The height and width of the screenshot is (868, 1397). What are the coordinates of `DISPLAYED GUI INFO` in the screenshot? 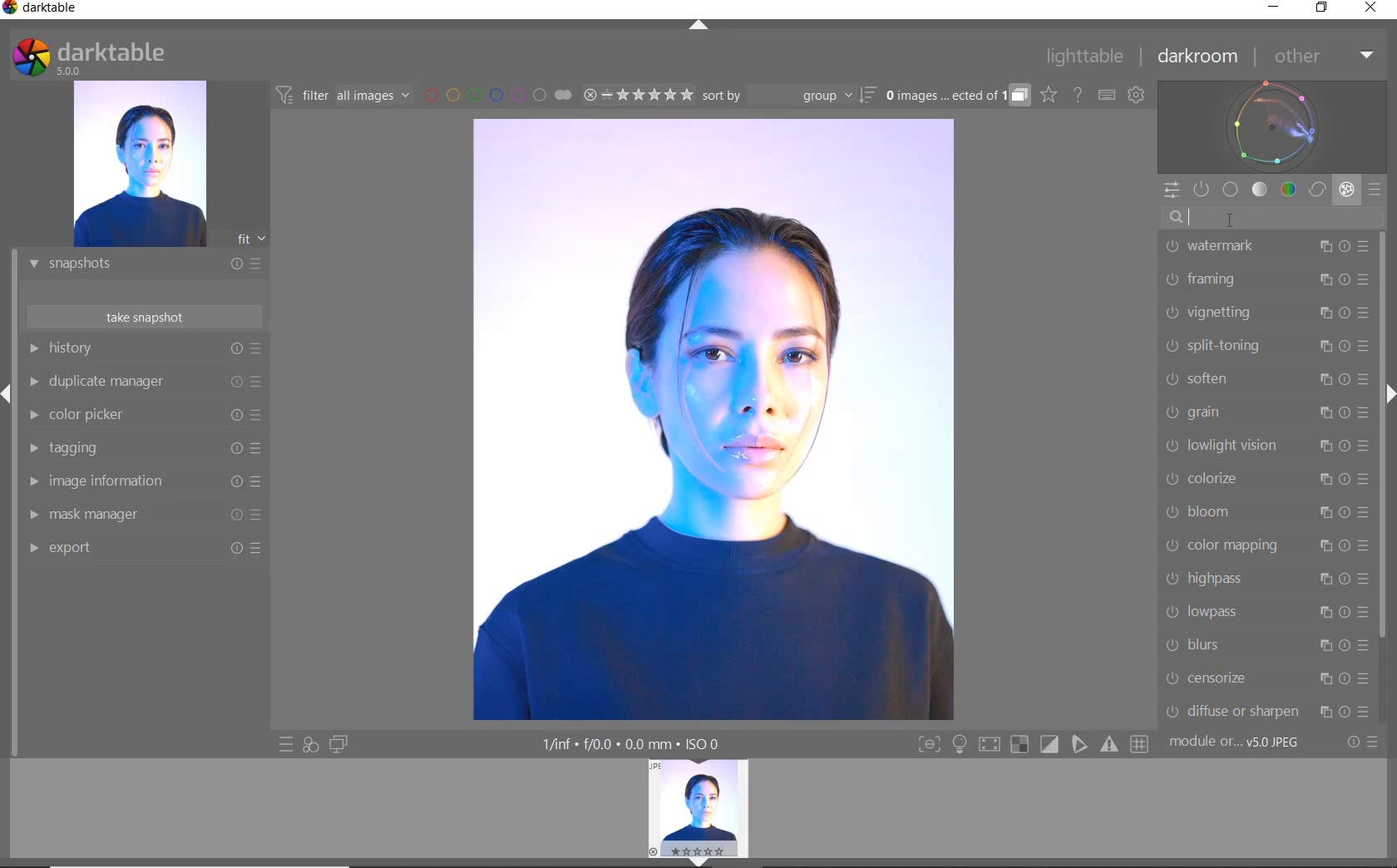 It's located at (628, 744).